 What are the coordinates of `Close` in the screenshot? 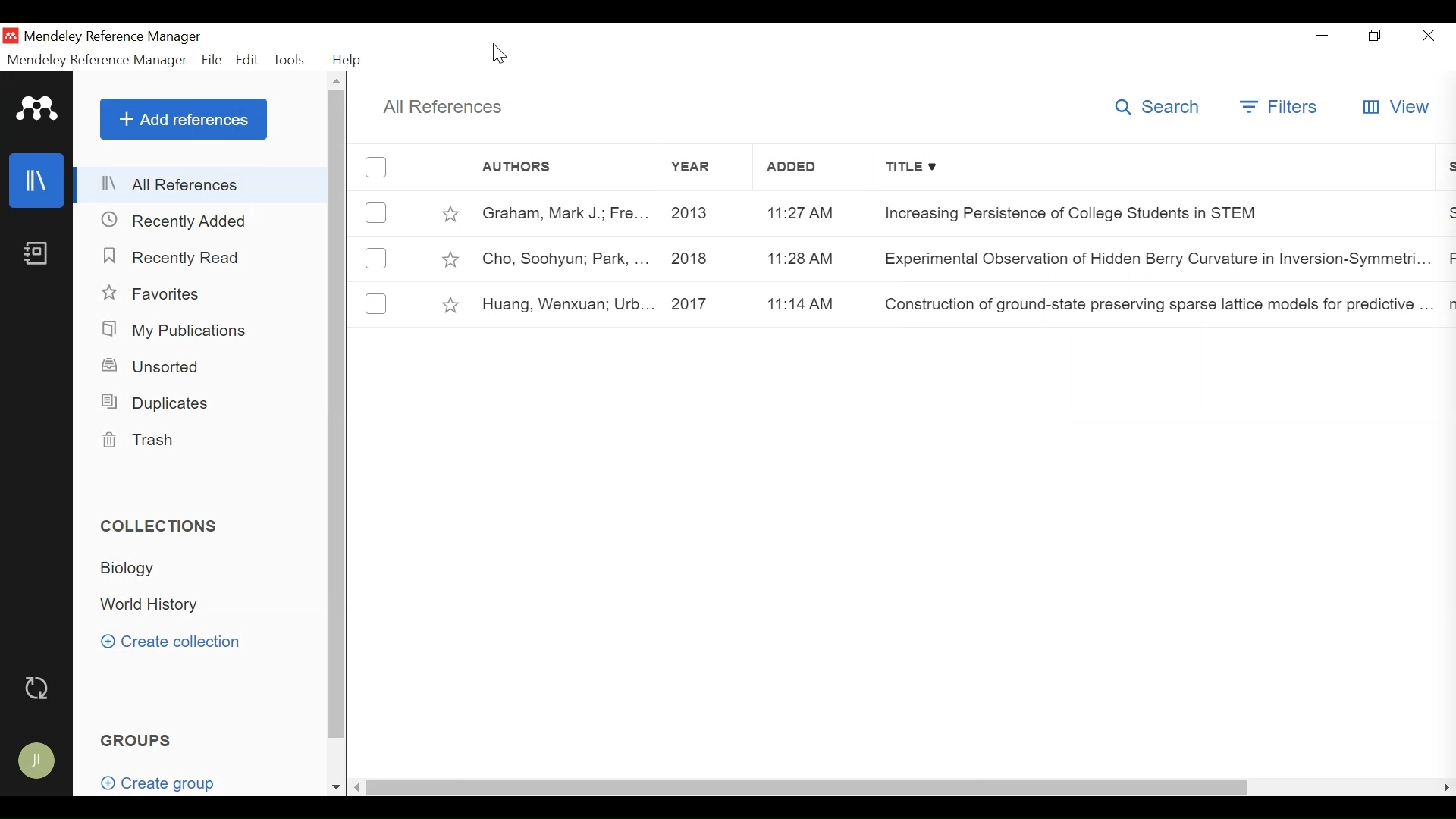 It's located at (1428, 36).